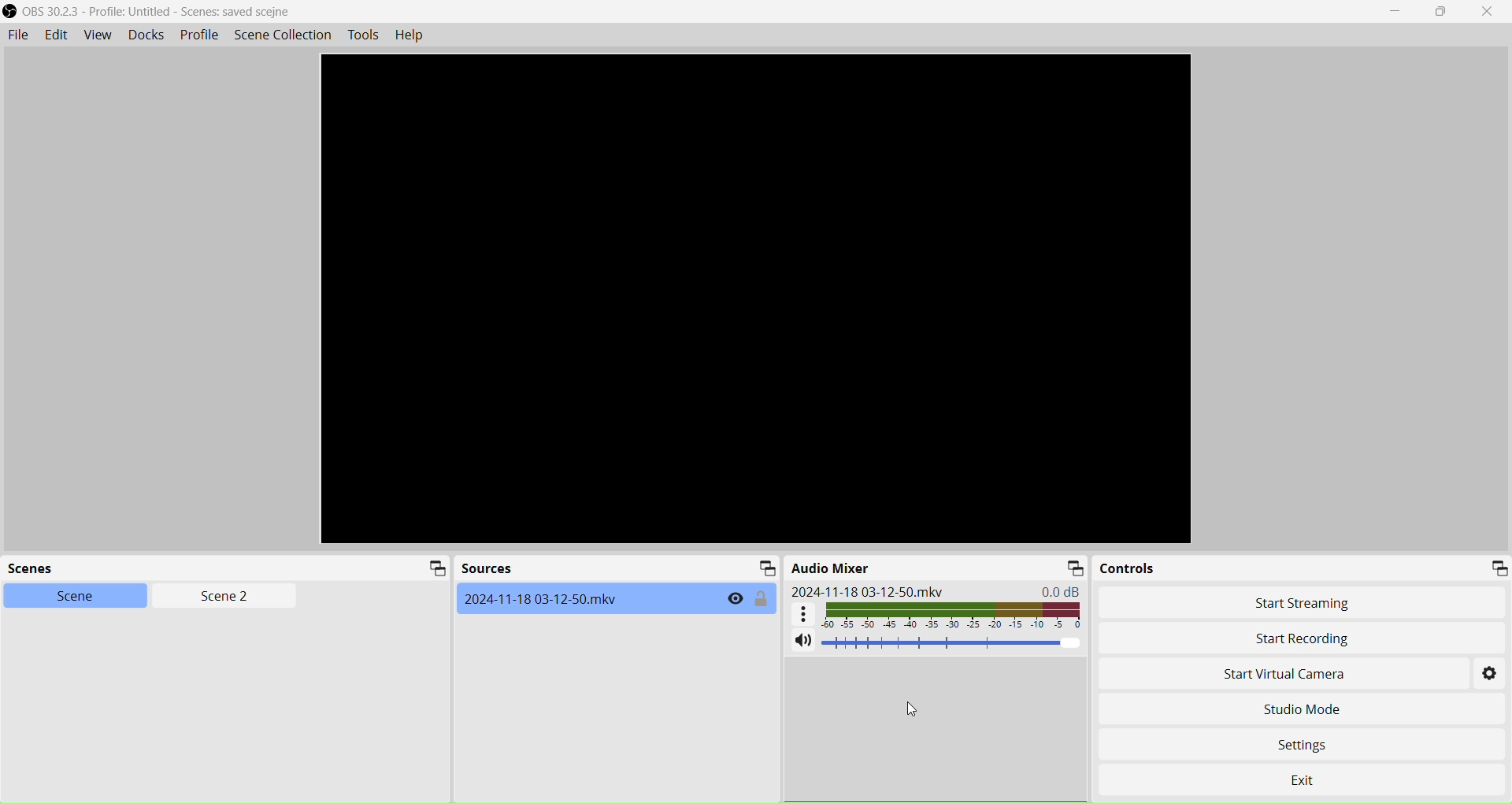 The width and height of the screenshot is (1512, 803). Describe the element at coordinates (365, 35) in the screenshot. I see `Tools` at that location.